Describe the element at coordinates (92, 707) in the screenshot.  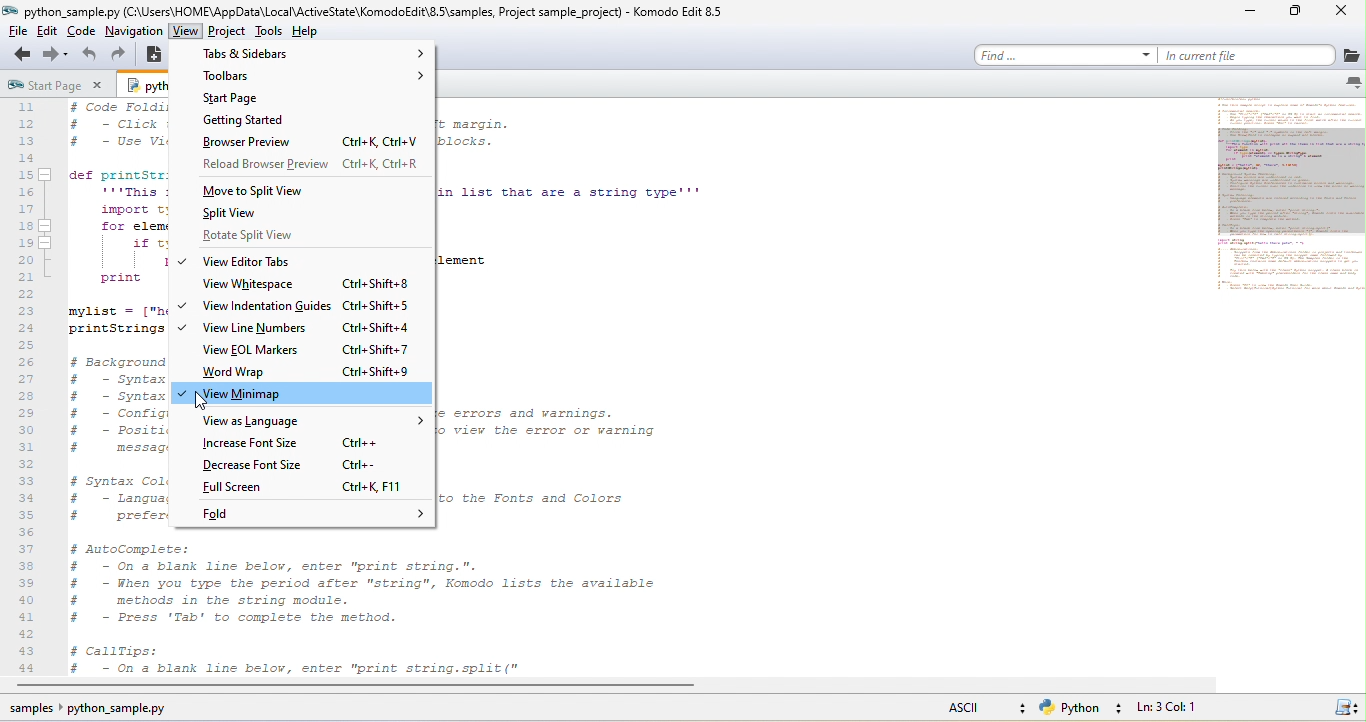
I see `sample pythoon` at that location.